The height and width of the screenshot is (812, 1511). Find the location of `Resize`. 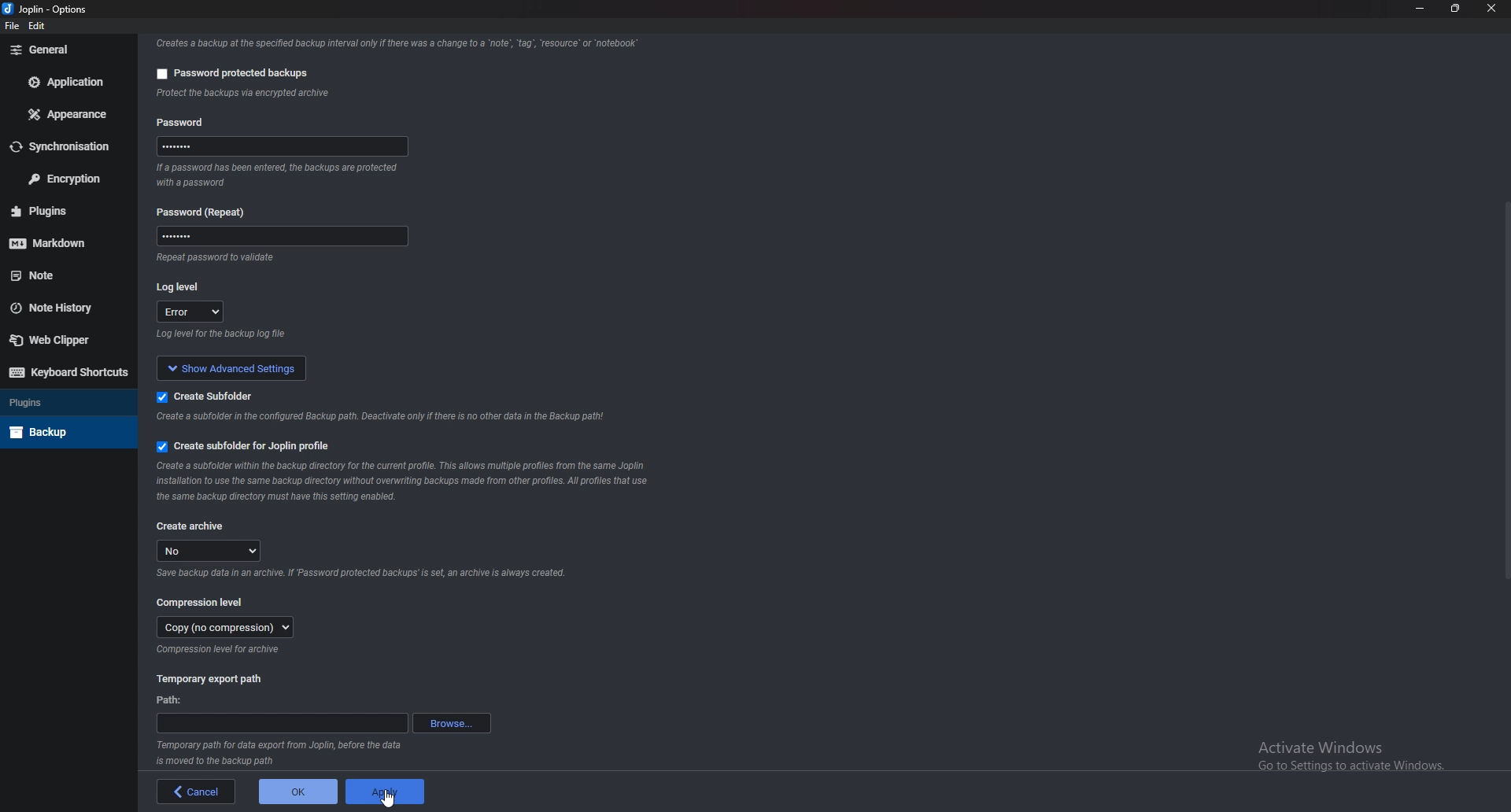

Resize is located at coordinates (1457, 8).